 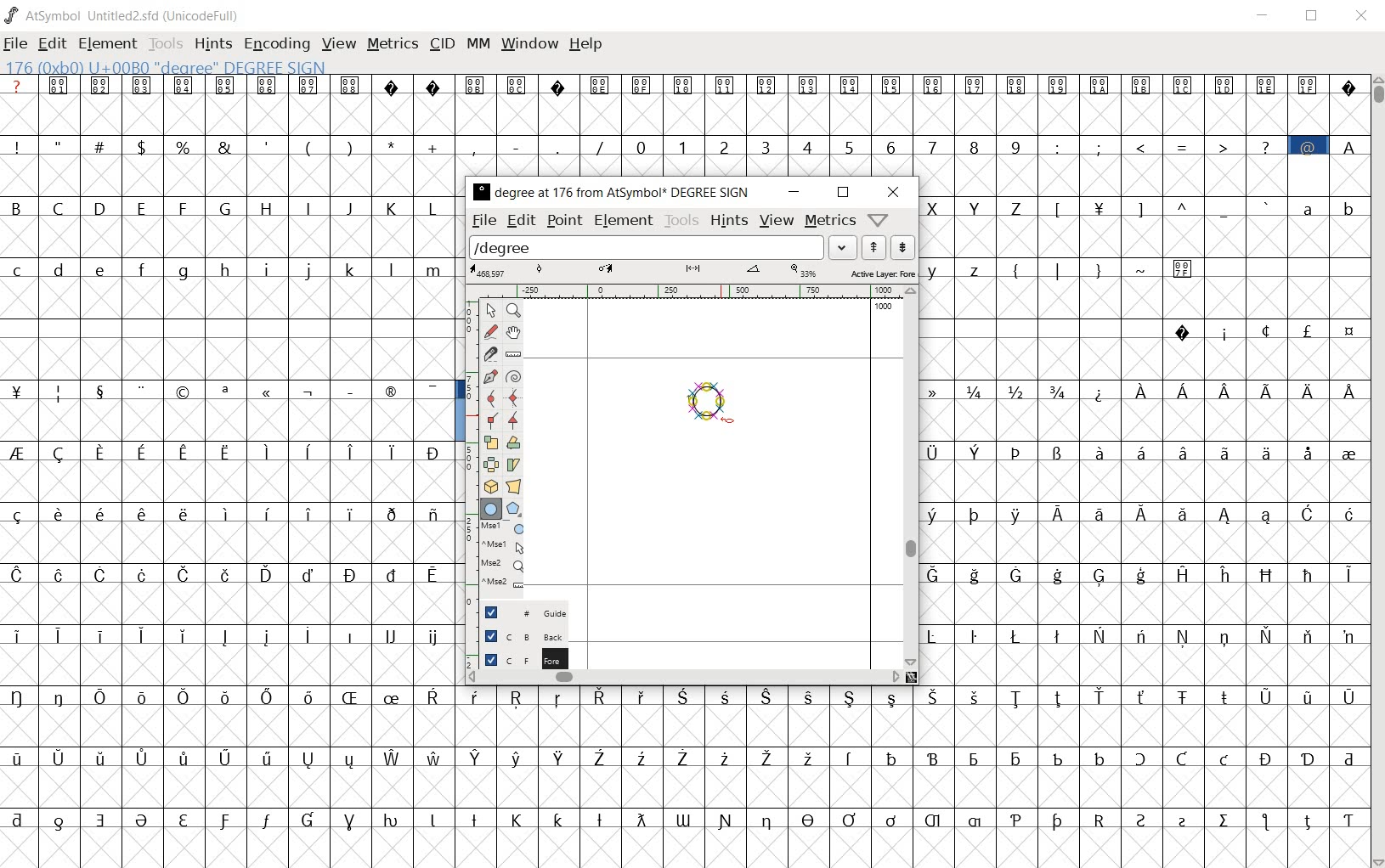 I want to click on , so click(x=229, y=511).